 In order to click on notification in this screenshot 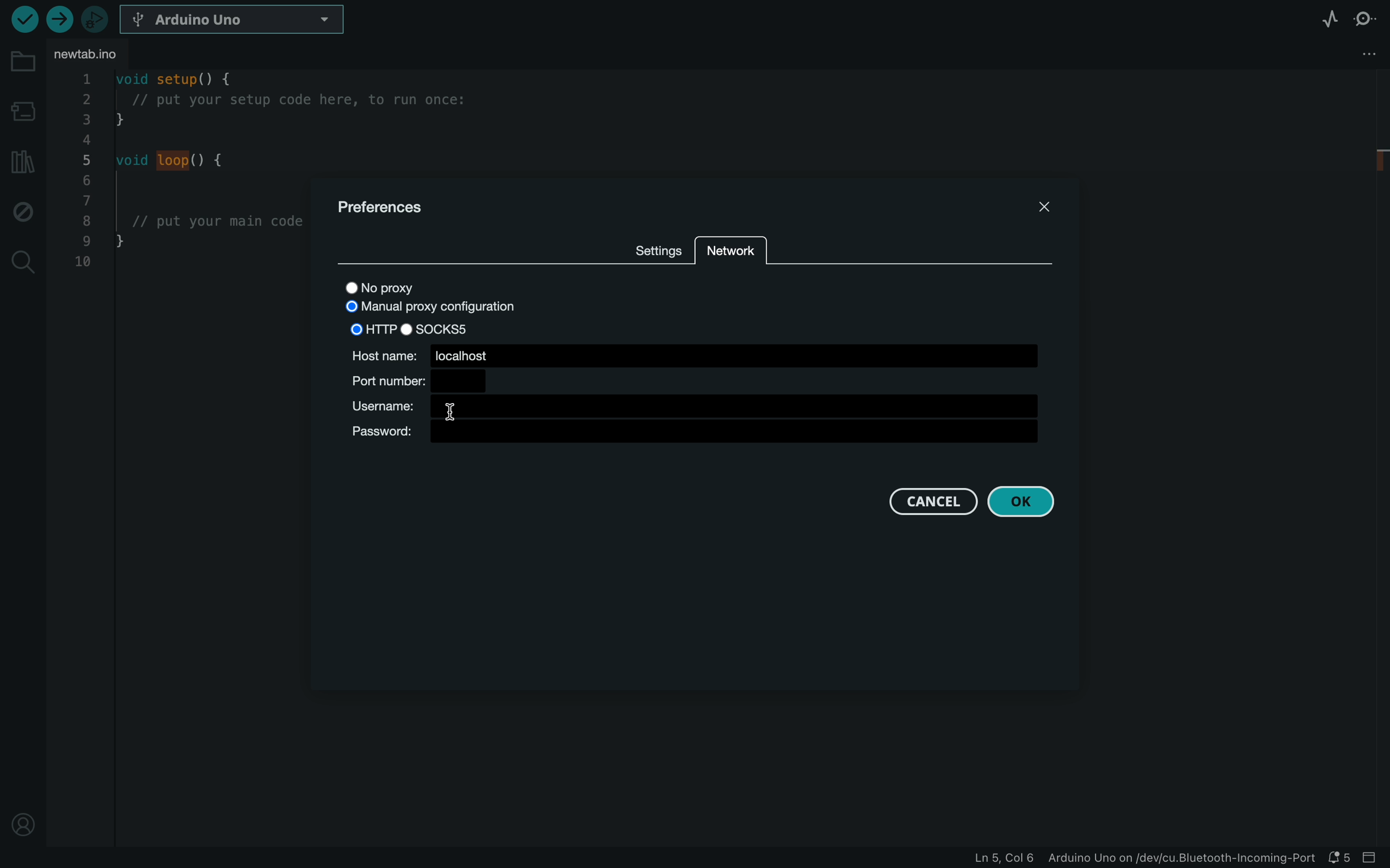, I will do `click(1340, 858)`.